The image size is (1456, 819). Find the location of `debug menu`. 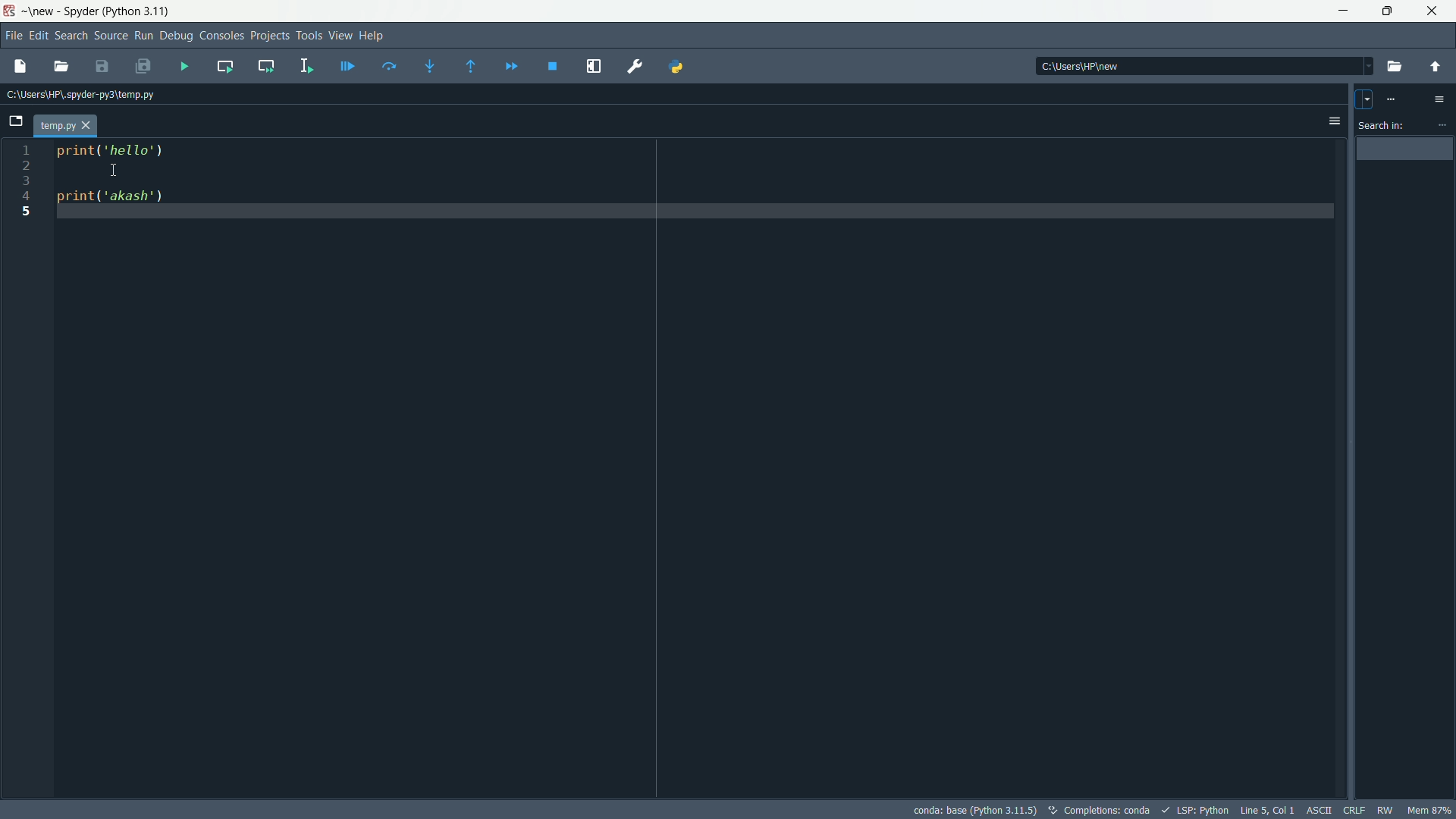

debug menu is located at coordinates (177, 36).